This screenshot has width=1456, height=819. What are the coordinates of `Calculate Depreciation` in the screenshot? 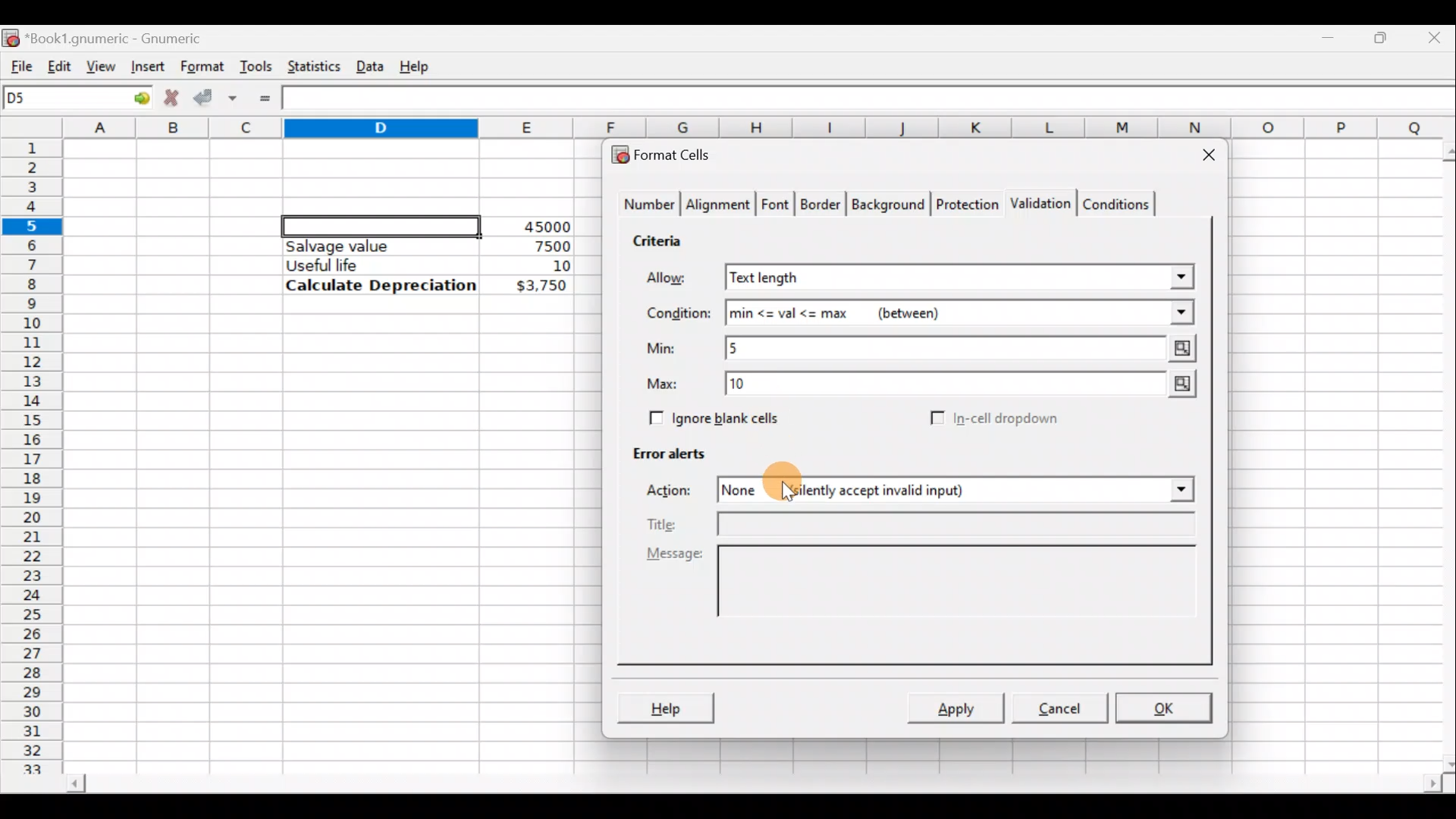 It's located at (381, 284).